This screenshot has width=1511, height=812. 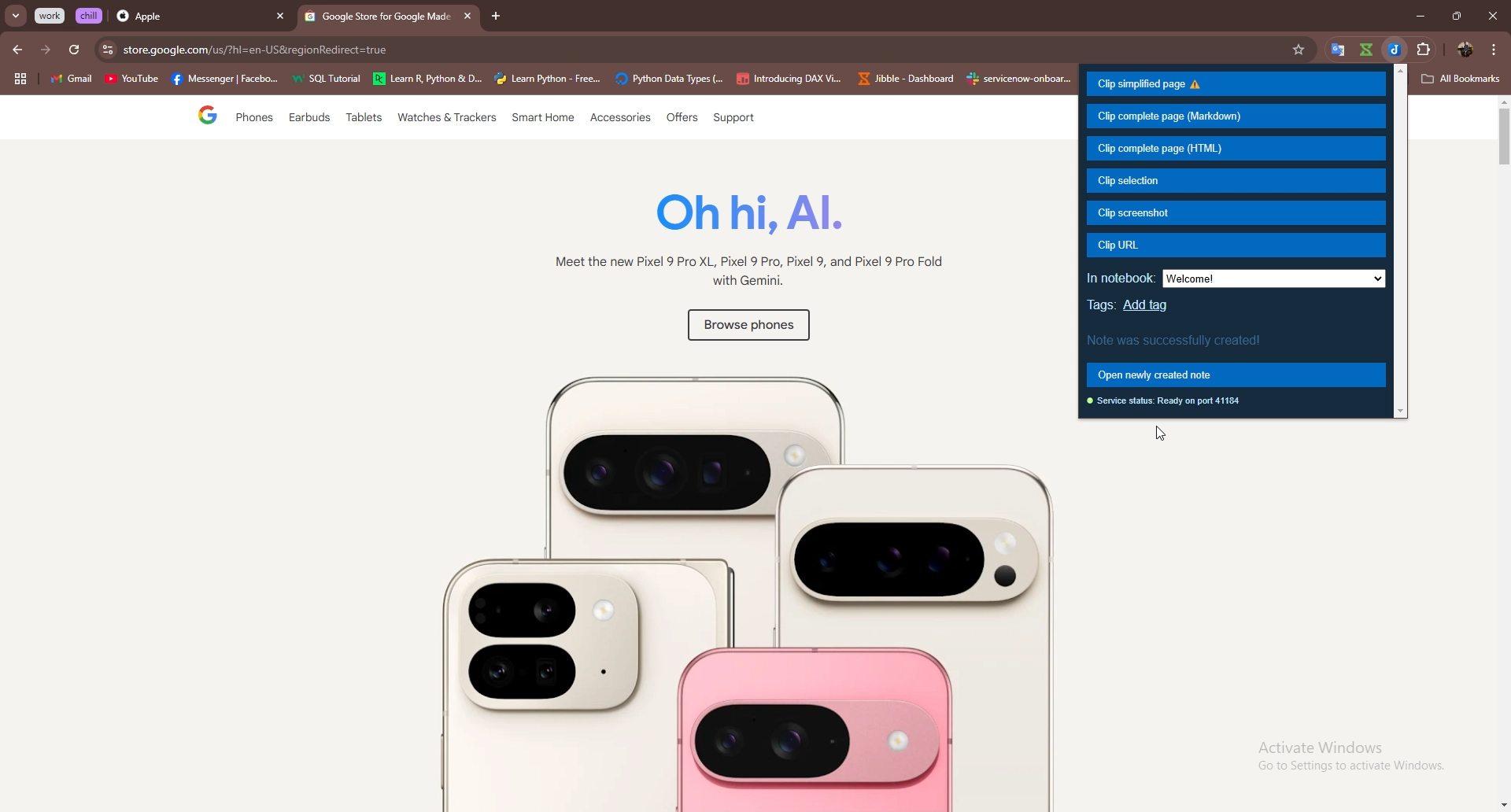 I want to click on favorites, so click(x=1301, y=50).